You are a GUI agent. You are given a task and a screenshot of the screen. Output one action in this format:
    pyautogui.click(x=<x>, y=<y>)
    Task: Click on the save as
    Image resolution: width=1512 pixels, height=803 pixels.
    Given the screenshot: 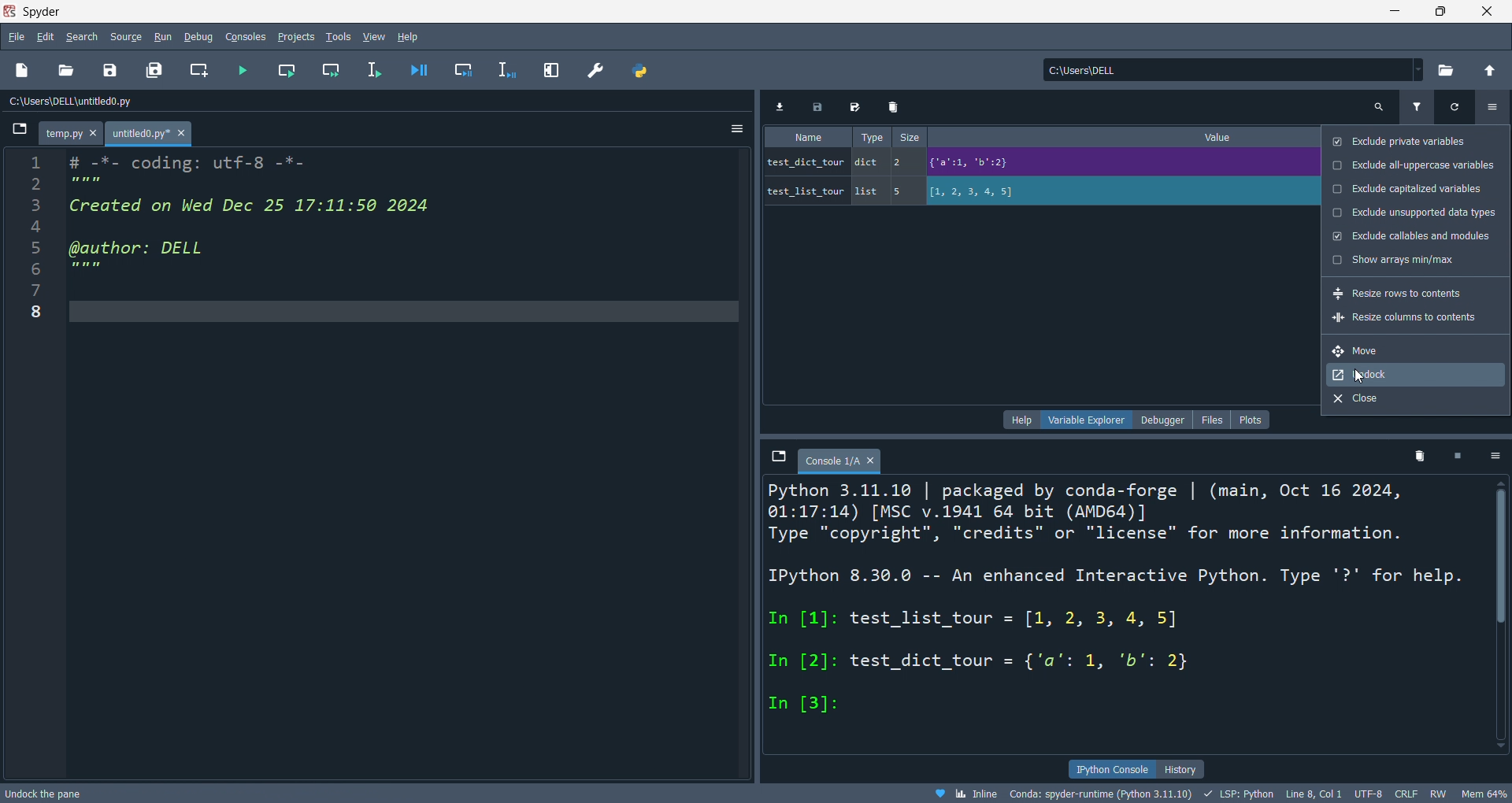 What is the action you would take?
    pyautogui.click(x=854, y=105)
    